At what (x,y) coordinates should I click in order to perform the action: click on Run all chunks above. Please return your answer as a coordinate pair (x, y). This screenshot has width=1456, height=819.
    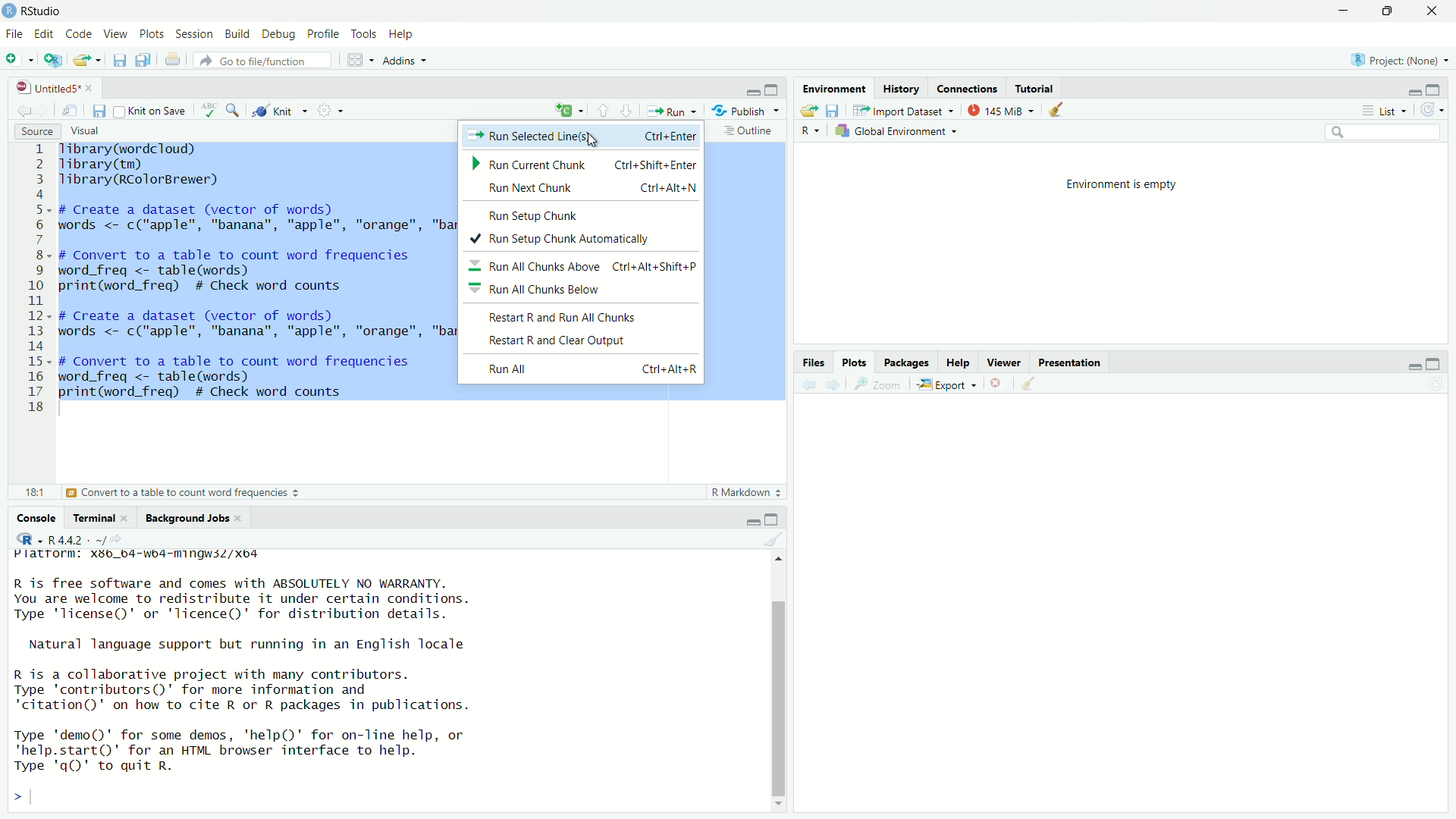
    Looking at the image, I should click on (584, 265).